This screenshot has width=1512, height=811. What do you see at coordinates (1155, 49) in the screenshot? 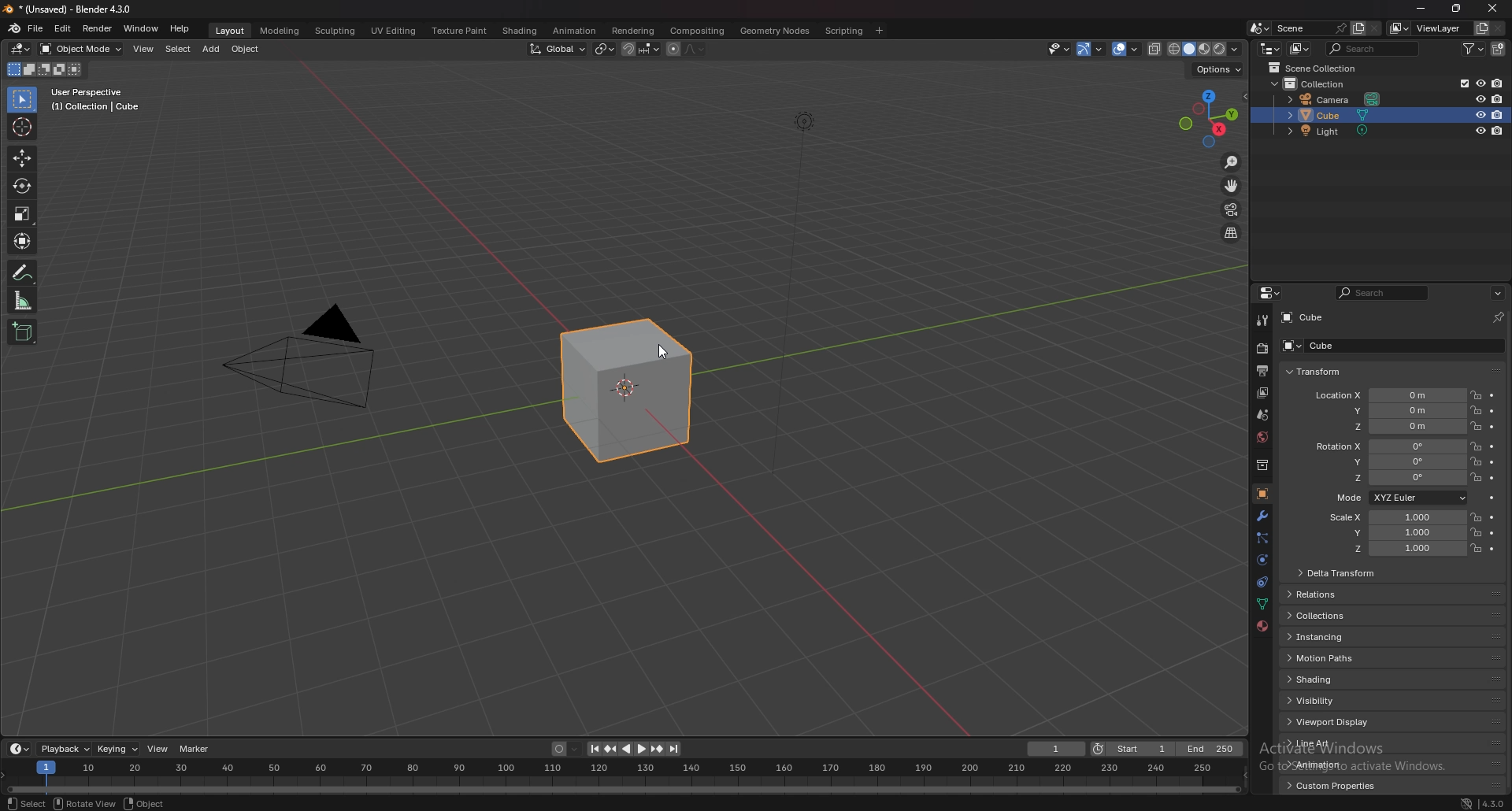
I see `toggle xray` at bounding box center [1155, 49].